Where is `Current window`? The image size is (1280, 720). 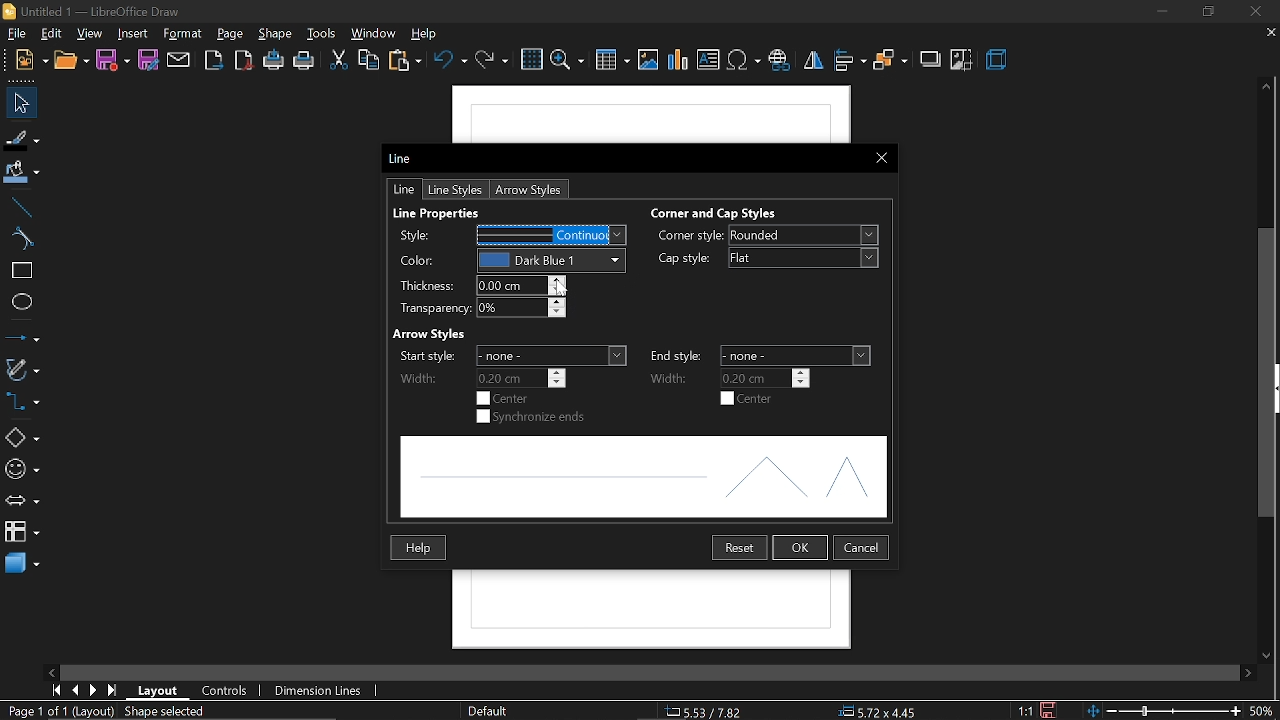 Current window is located at coordinates (403, 157).